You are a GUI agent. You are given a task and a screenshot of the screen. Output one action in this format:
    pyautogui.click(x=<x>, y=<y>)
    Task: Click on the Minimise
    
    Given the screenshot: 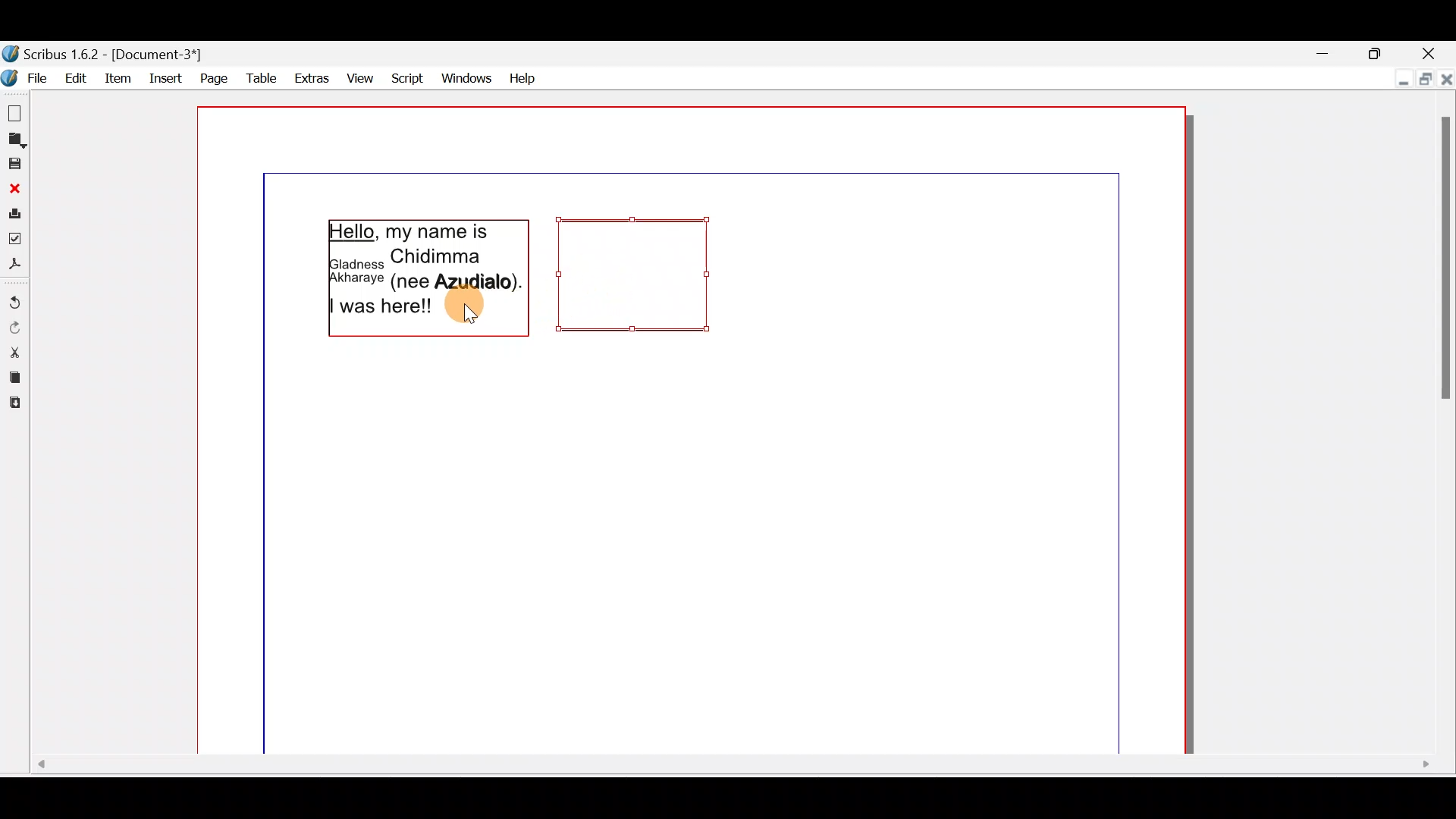 What is the action you would take?
    pyautogui.click(x=1400, y=76)
    